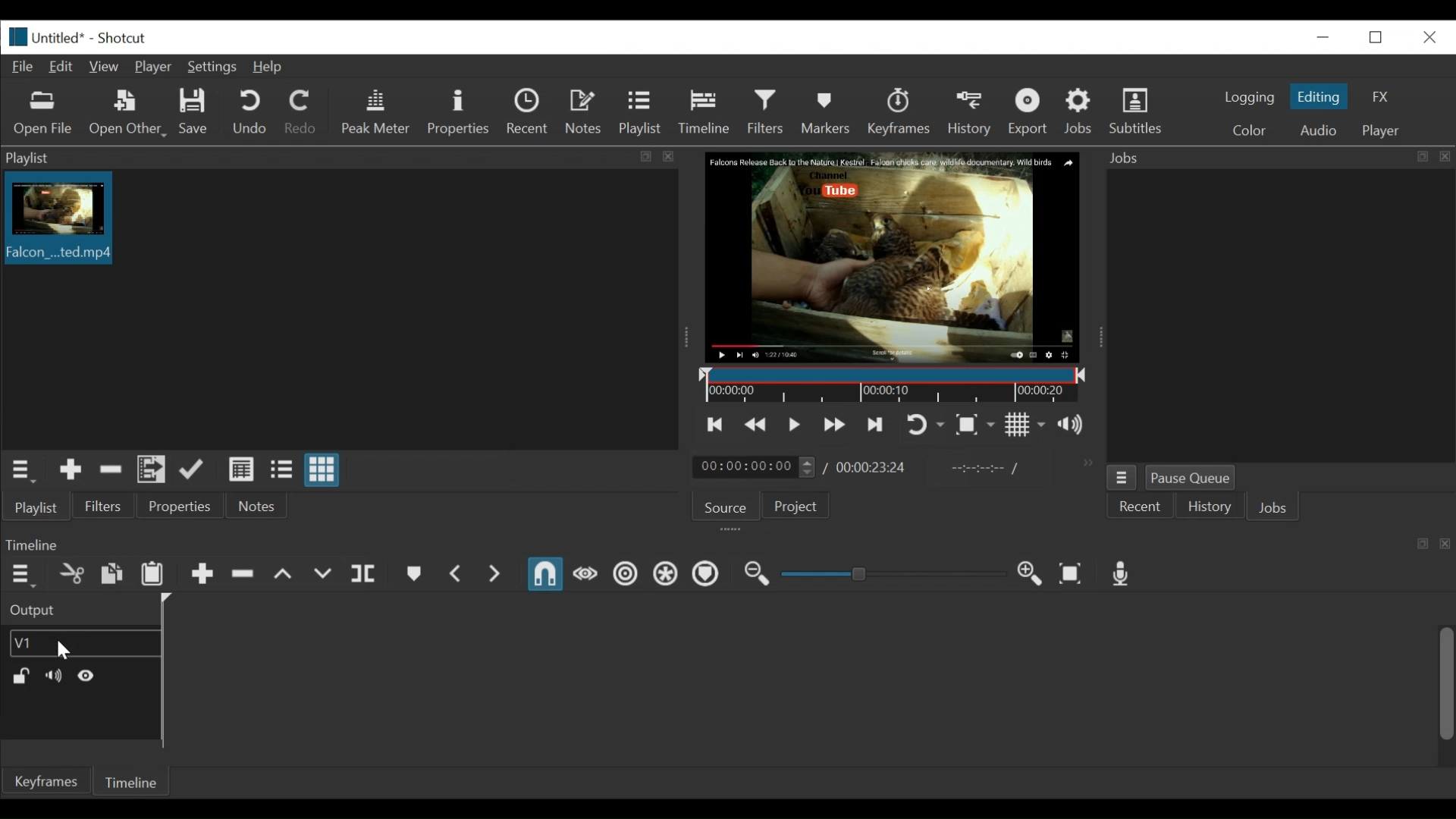  What do you see at coordinates (281, 471) in the screenshot?
I see `View as files` at bounding box center [281, 471].